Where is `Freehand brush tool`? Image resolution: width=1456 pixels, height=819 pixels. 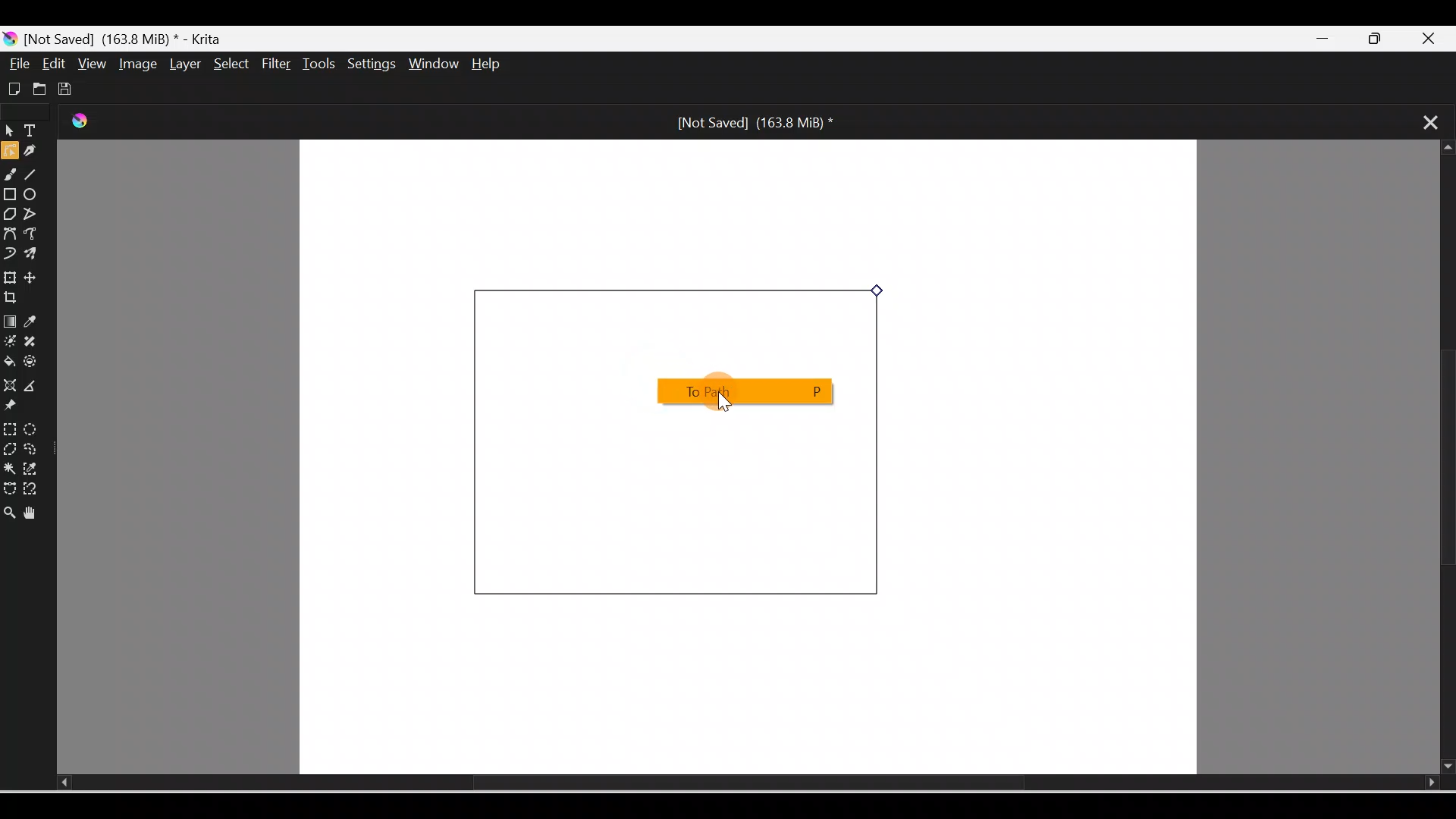
Freehand brush tool is located at coordinates (12, 177).